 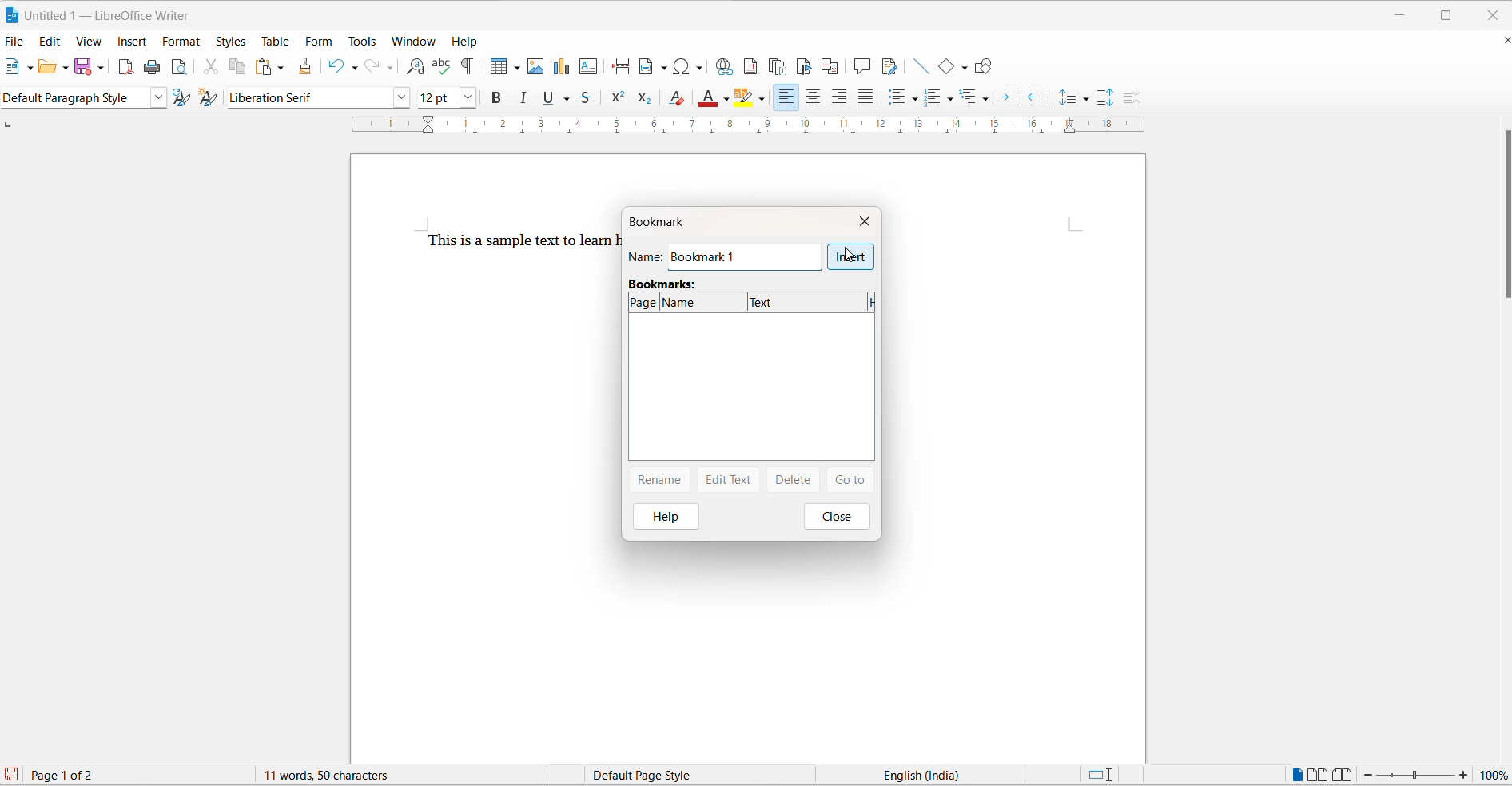 What do you see at coordinates (921, 67) in the screenshot?
I see `insert line` at bounding box center [921, 67].